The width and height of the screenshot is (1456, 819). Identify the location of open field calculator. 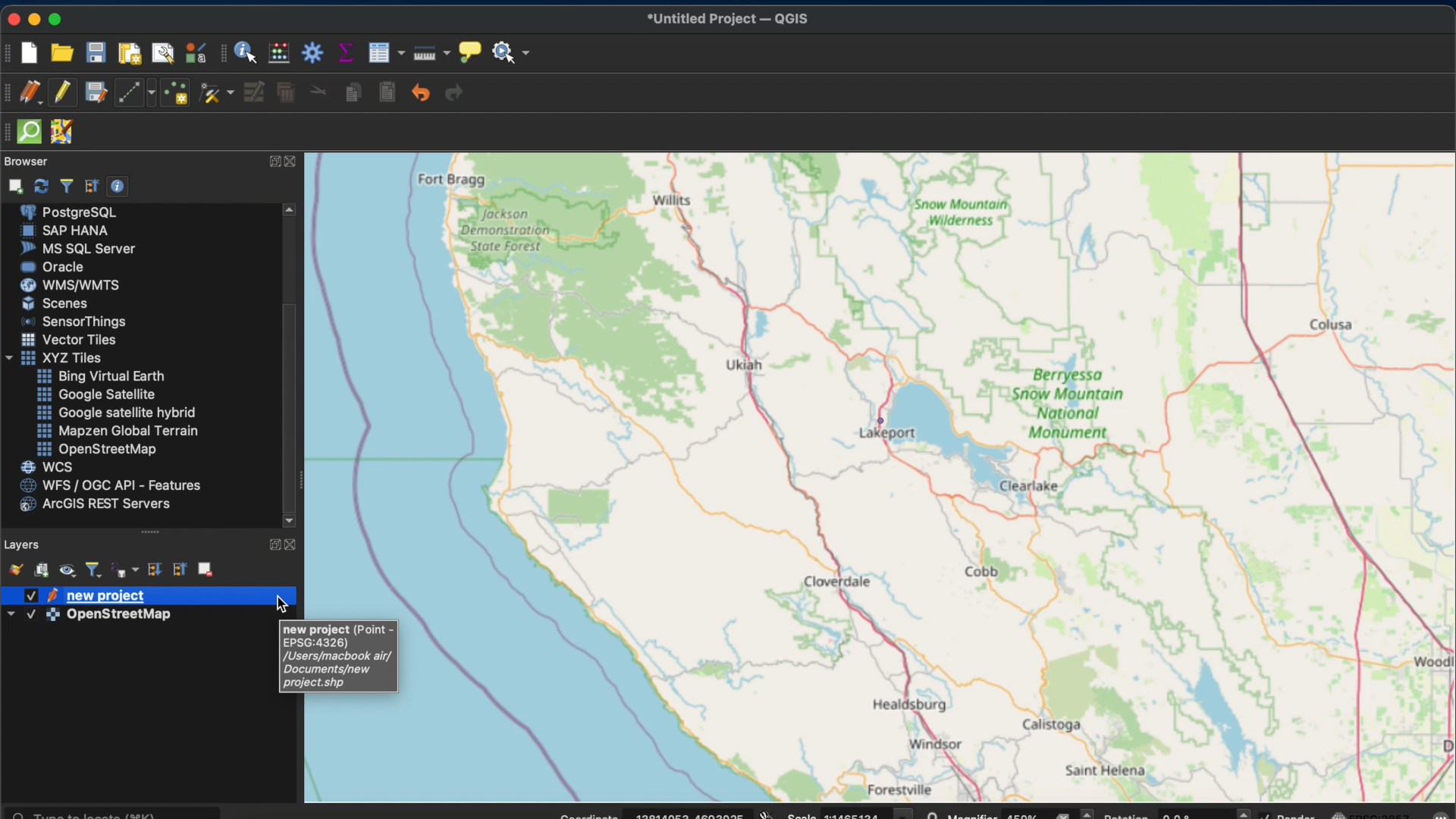
(281, 52).